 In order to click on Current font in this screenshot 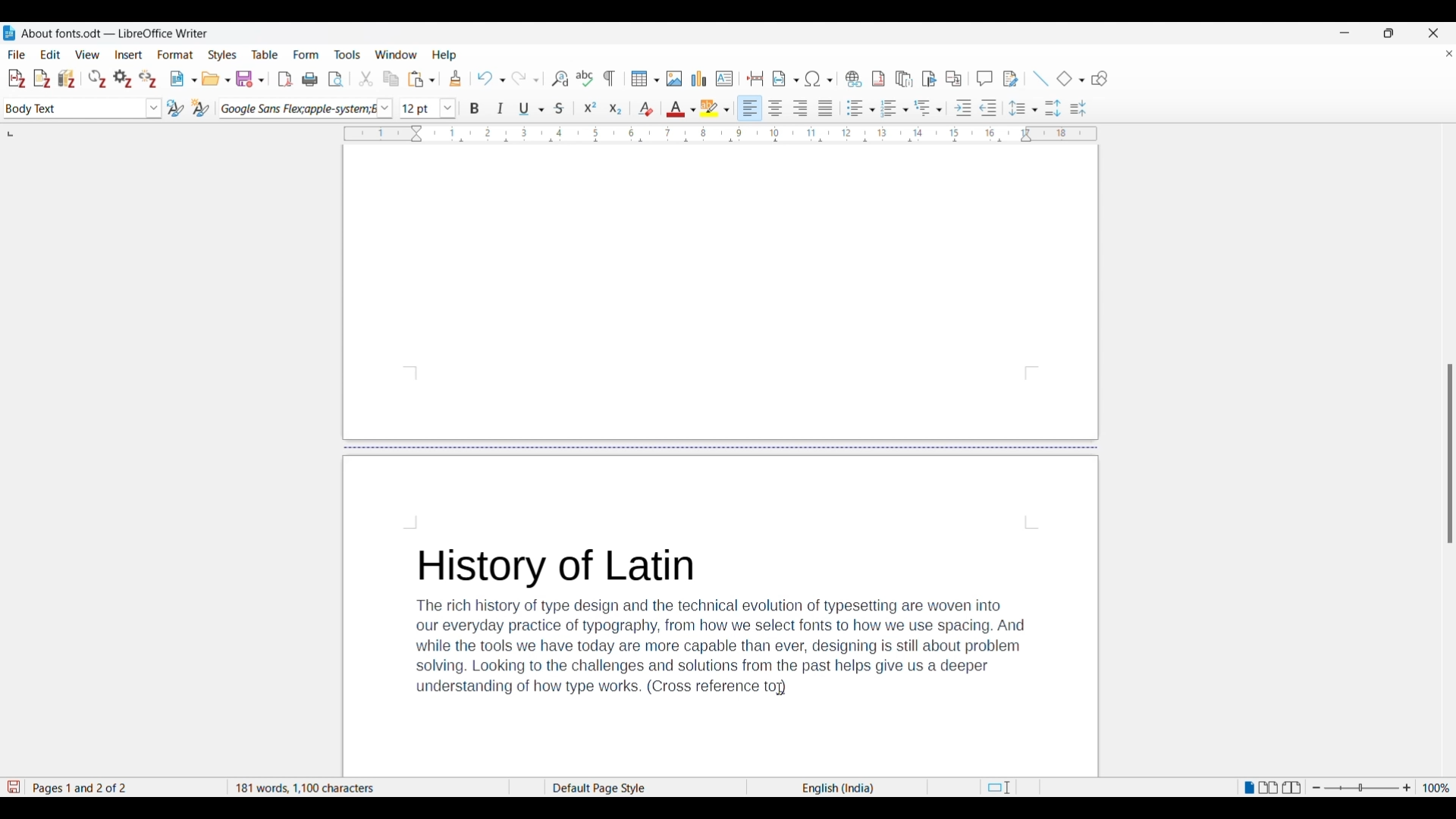, I will do `click(296, 108)`.